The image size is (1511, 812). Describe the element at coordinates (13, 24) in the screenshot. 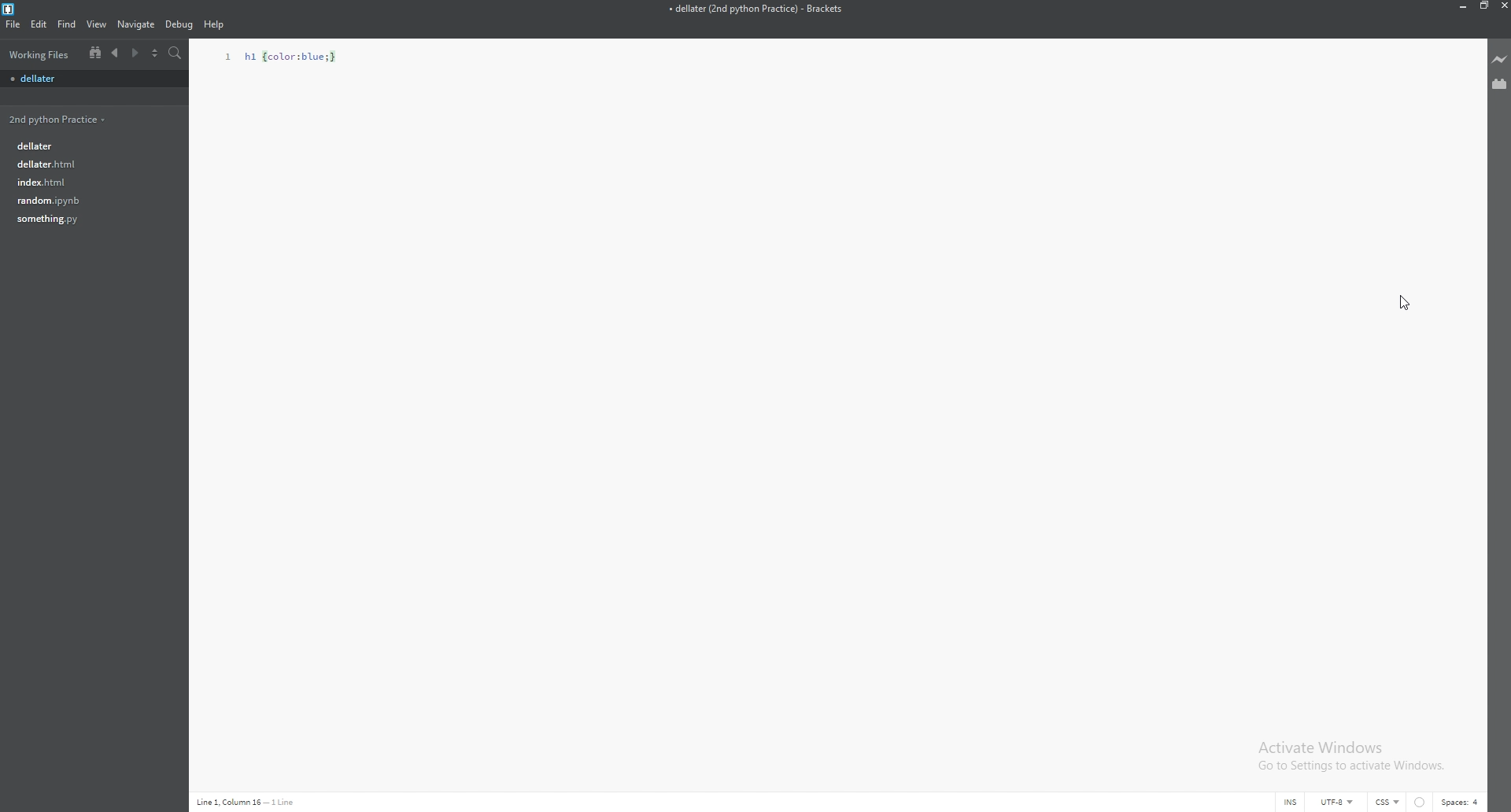

I see `file` at that location.